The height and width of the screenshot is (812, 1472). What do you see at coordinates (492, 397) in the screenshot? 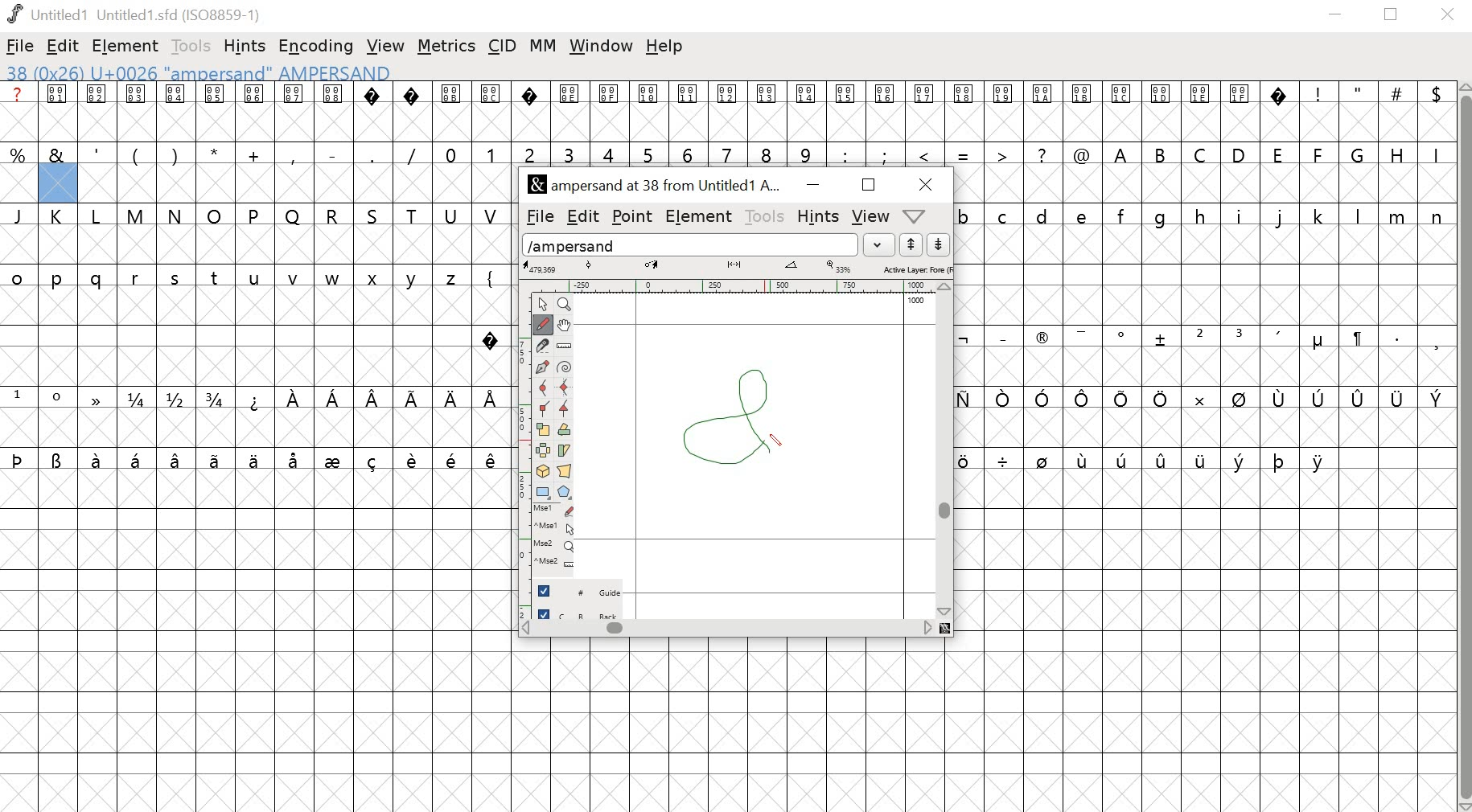
I see `symbol` at bounding box center [492, 397].